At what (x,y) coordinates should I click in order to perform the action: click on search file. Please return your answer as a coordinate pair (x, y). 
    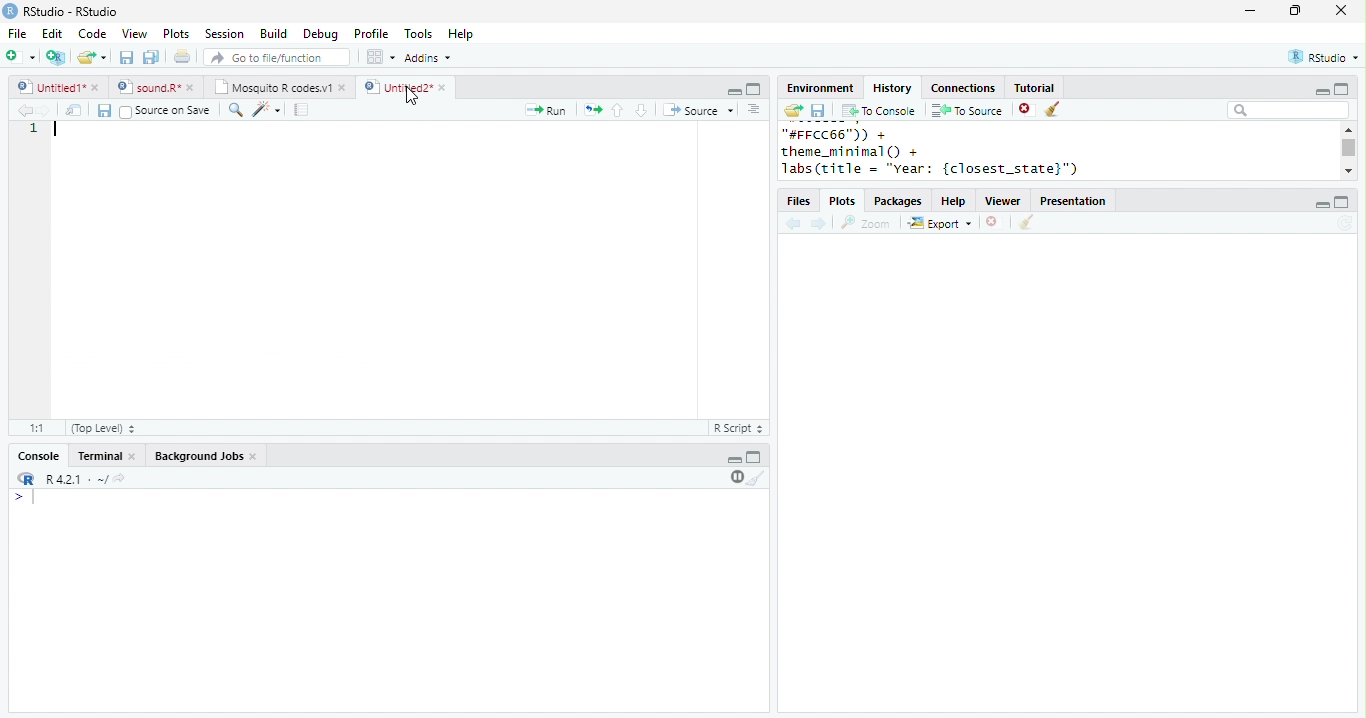
    Looking at the image, I should click on (278, 57).